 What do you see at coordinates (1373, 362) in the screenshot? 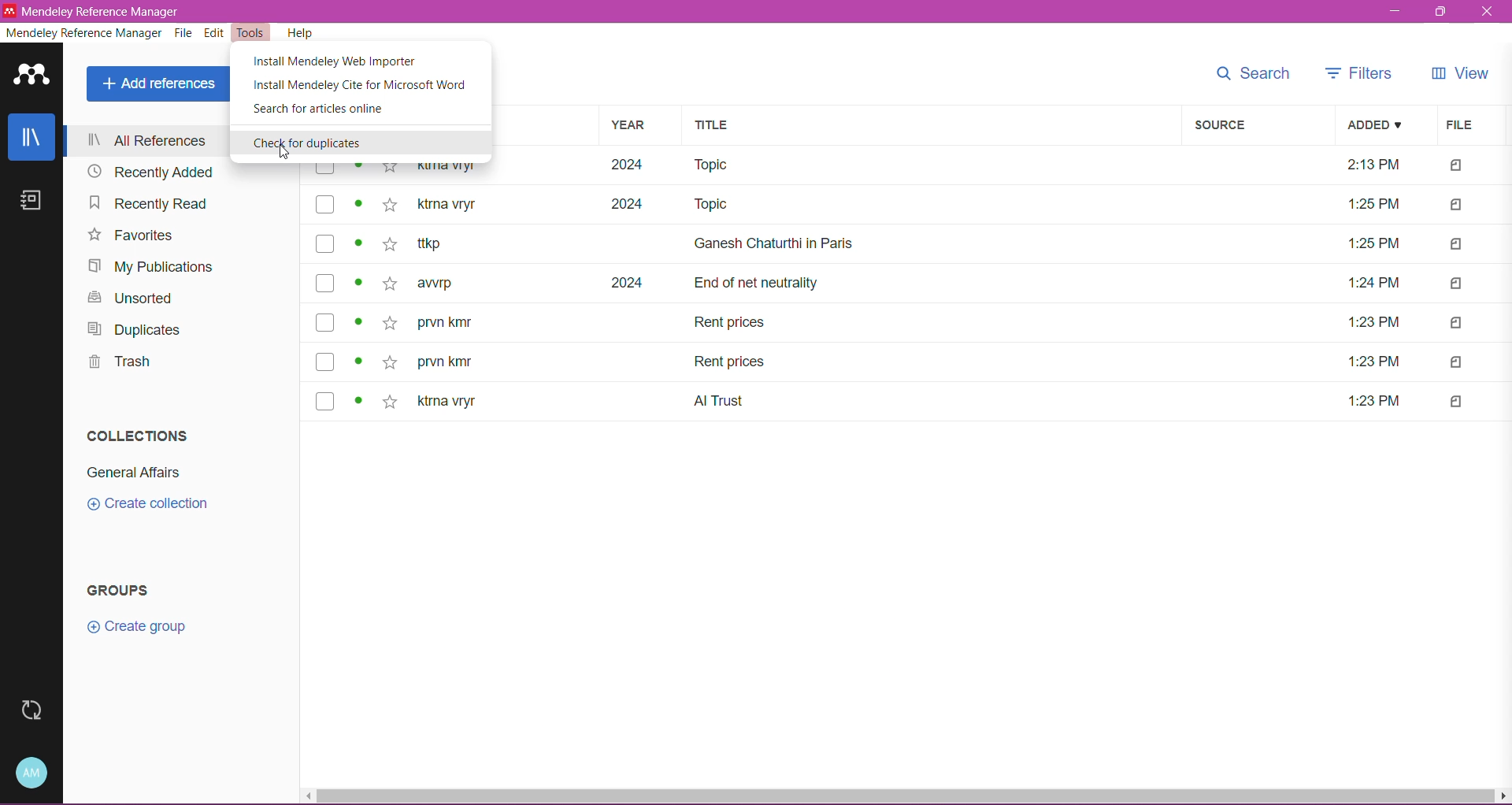
I see `file` at bounding box center [1373, 362].